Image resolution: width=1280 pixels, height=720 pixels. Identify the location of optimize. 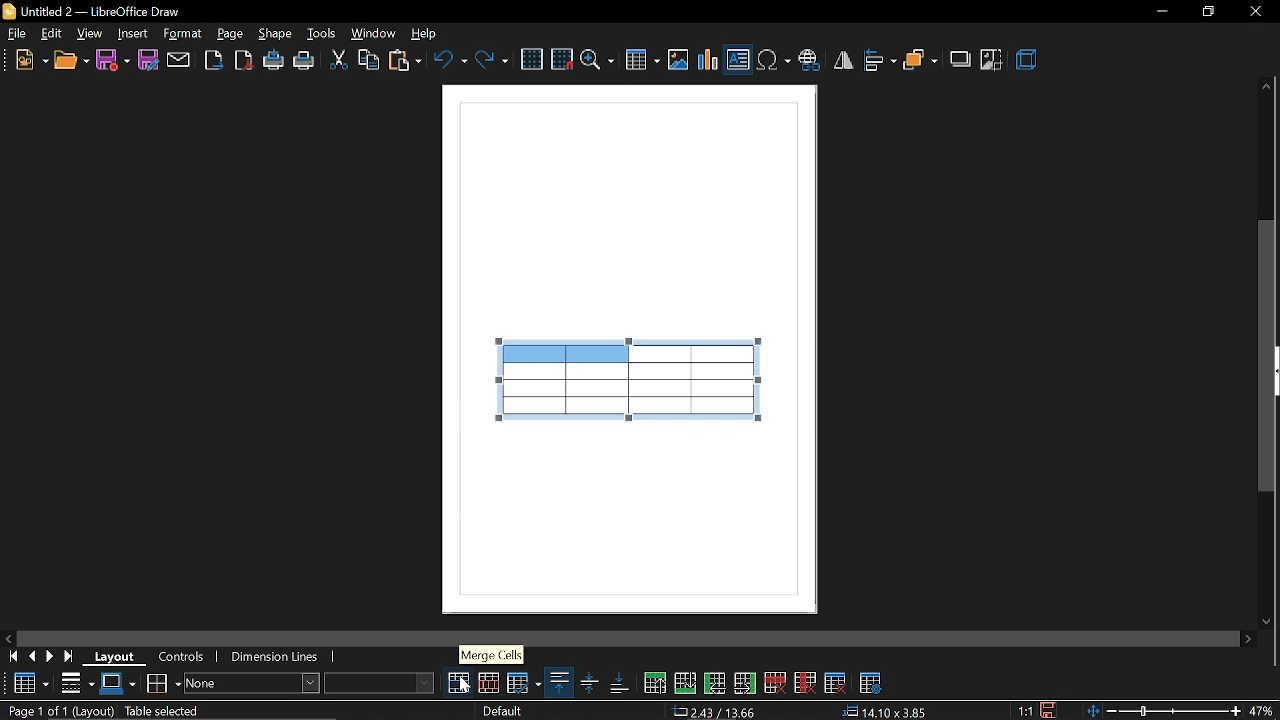
(524, 683).